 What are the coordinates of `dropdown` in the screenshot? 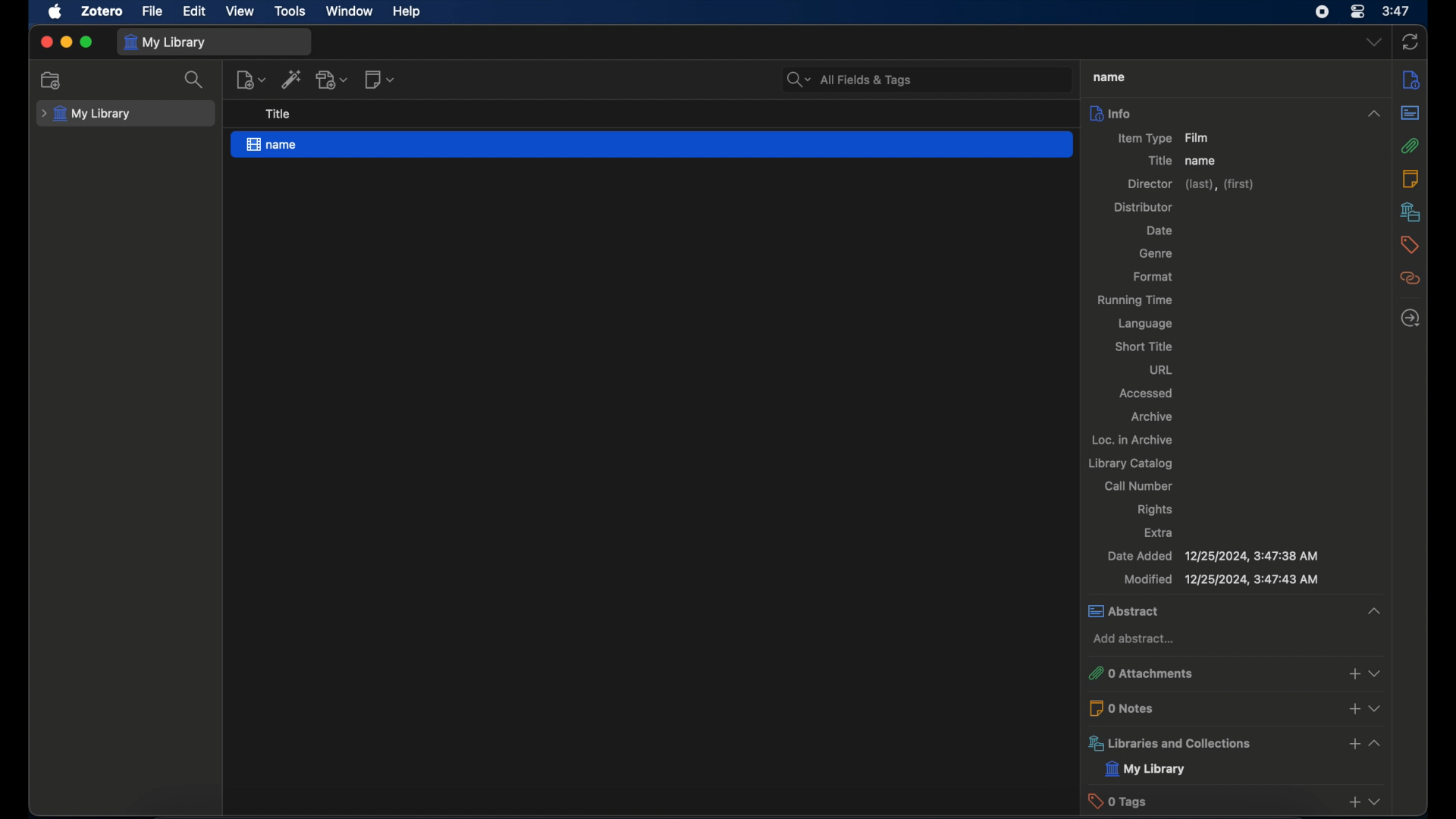 It's located at (1381, 800).